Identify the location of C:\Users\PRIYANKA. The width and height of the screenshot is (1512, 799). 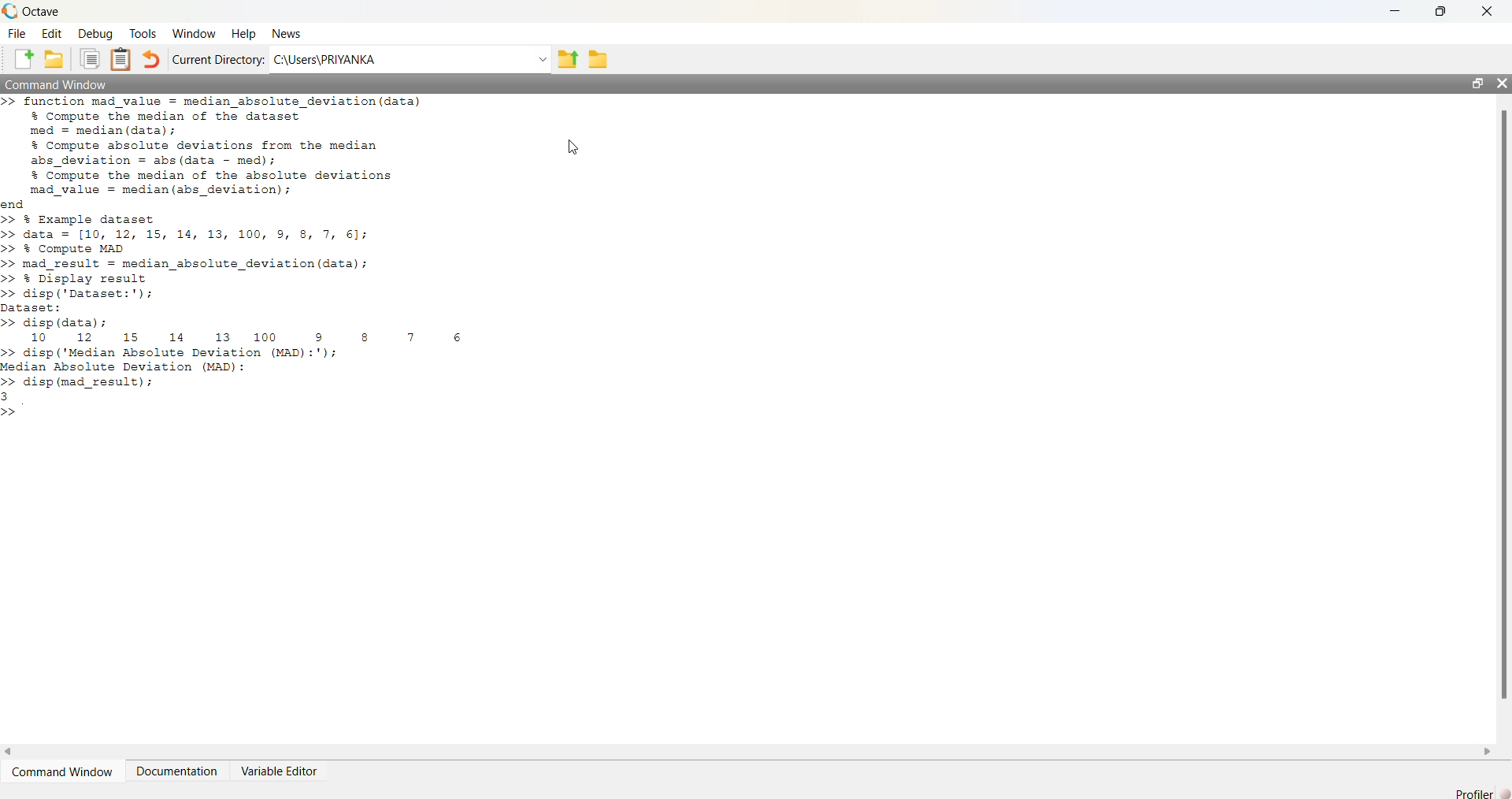
(399, 60).